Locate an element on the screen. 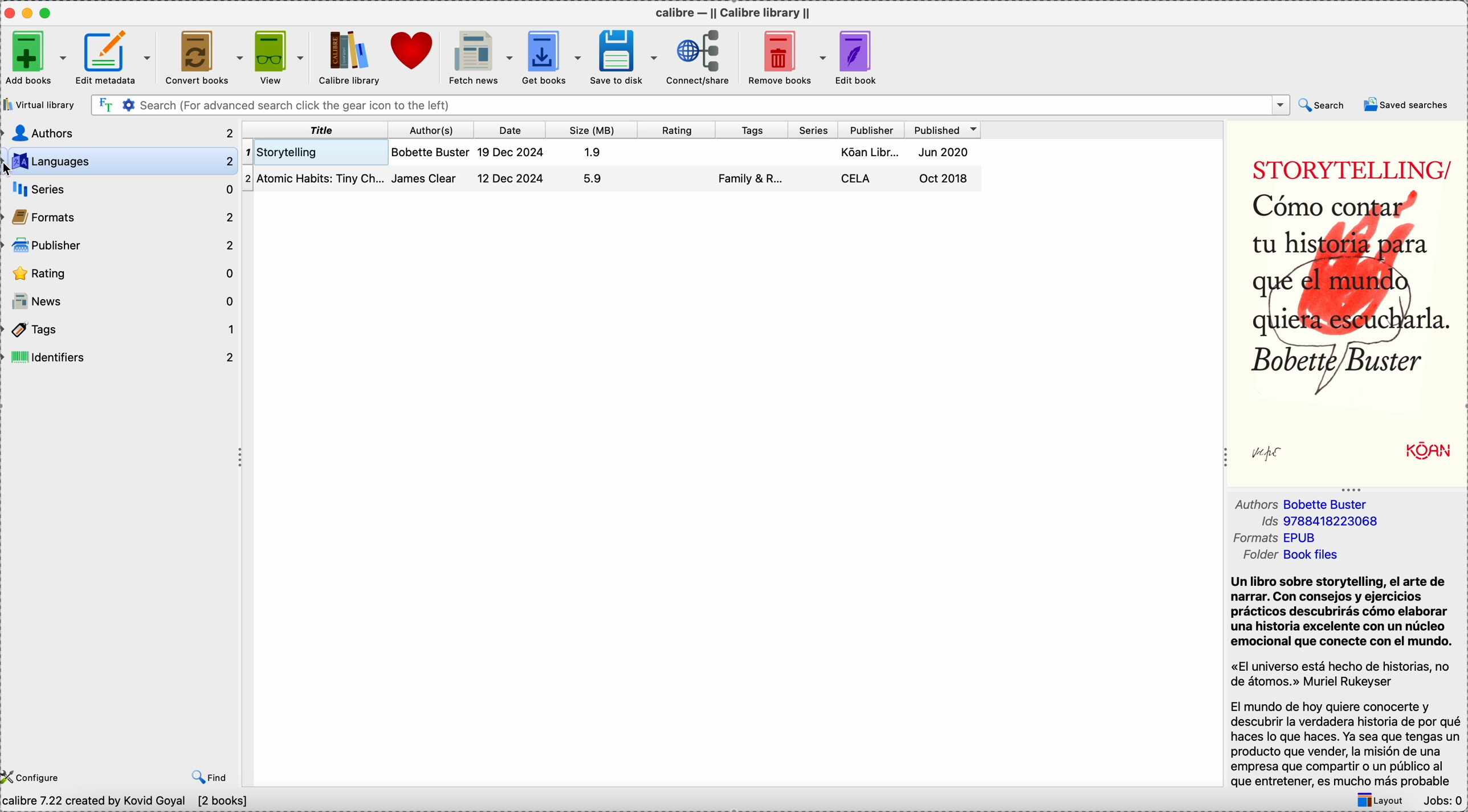 Image resolution: width=1468 pixels, height=812 pixels. series is located at coordinates (814, 129).